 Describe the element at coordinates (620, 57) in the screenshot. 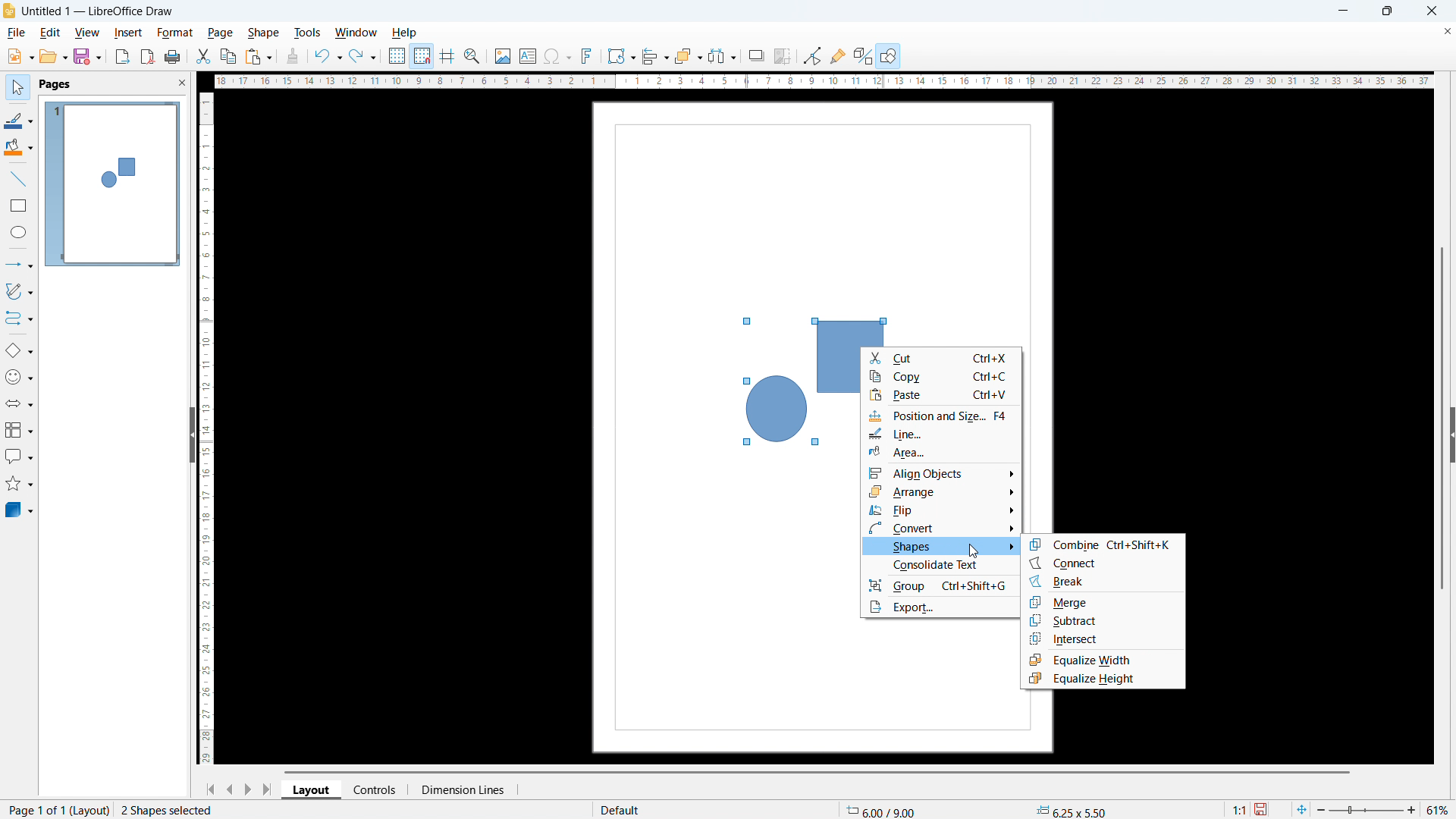

I see `transformation` at that location.